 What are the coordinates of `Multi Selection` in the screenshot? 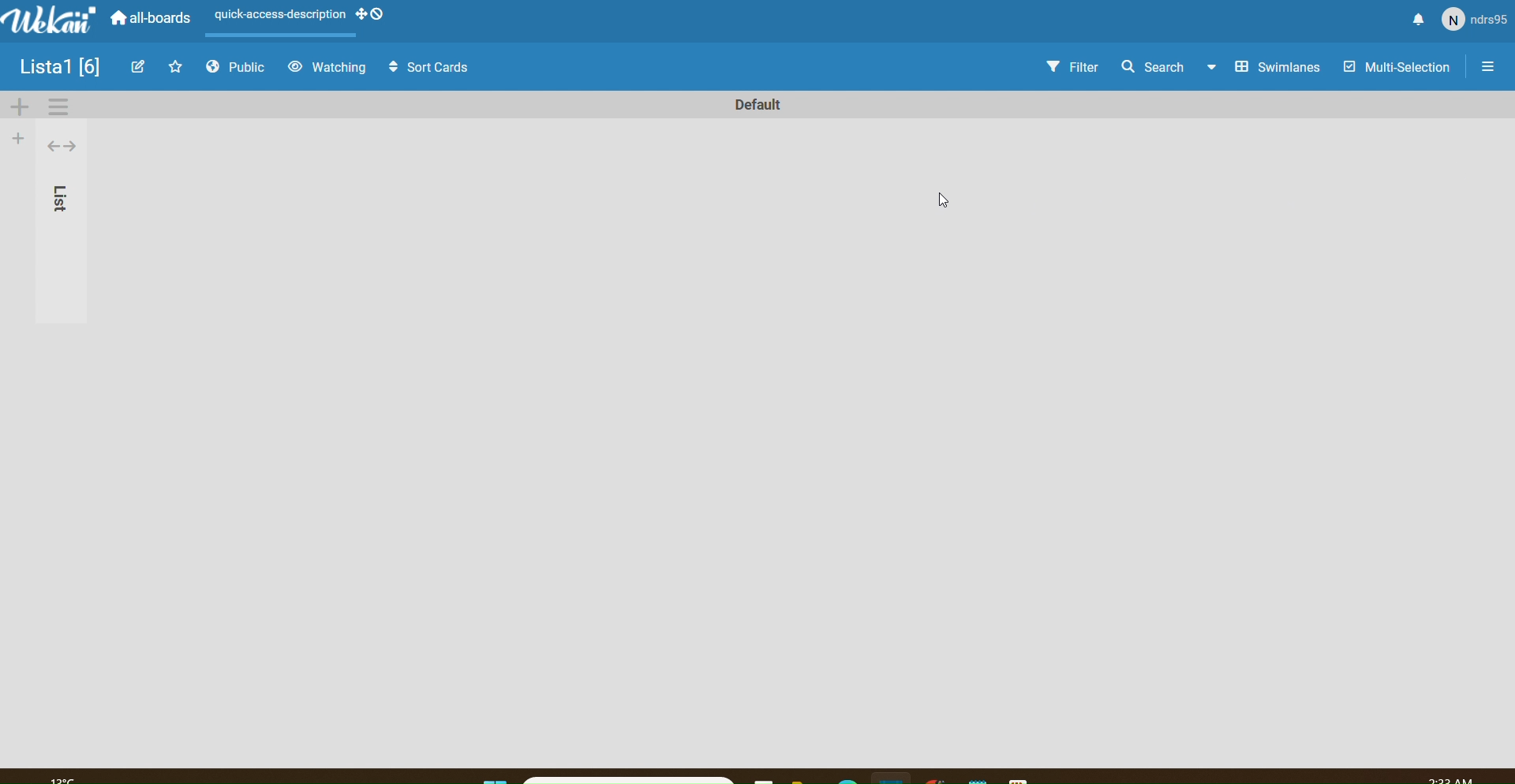 It's located at (1407, 69).